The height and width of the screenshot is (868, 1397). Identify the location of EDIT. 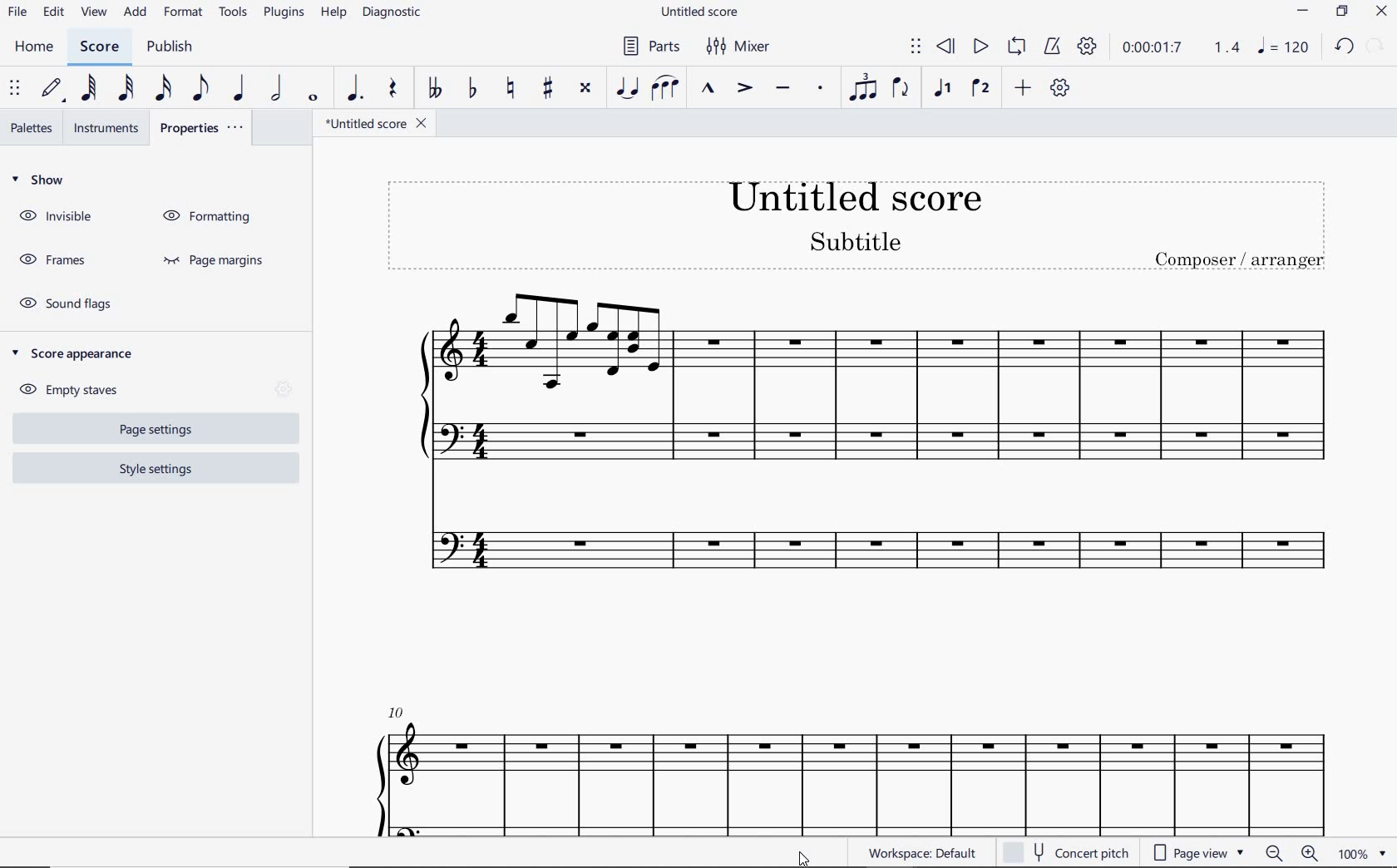
(54, 13).